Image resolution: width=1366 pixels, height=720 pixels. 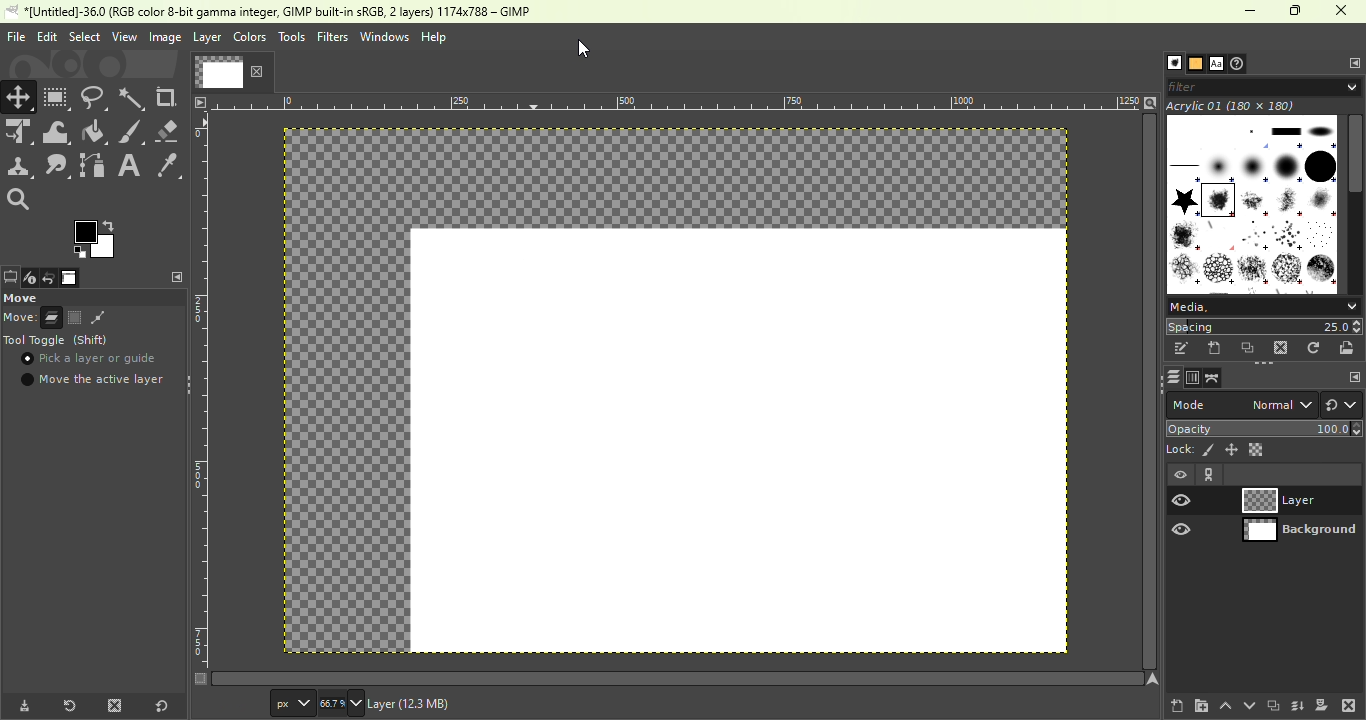 What do you see at coordinates (24, 200) in the screenshot?
I see `Zoom tool` at bounding box center [24, 200].